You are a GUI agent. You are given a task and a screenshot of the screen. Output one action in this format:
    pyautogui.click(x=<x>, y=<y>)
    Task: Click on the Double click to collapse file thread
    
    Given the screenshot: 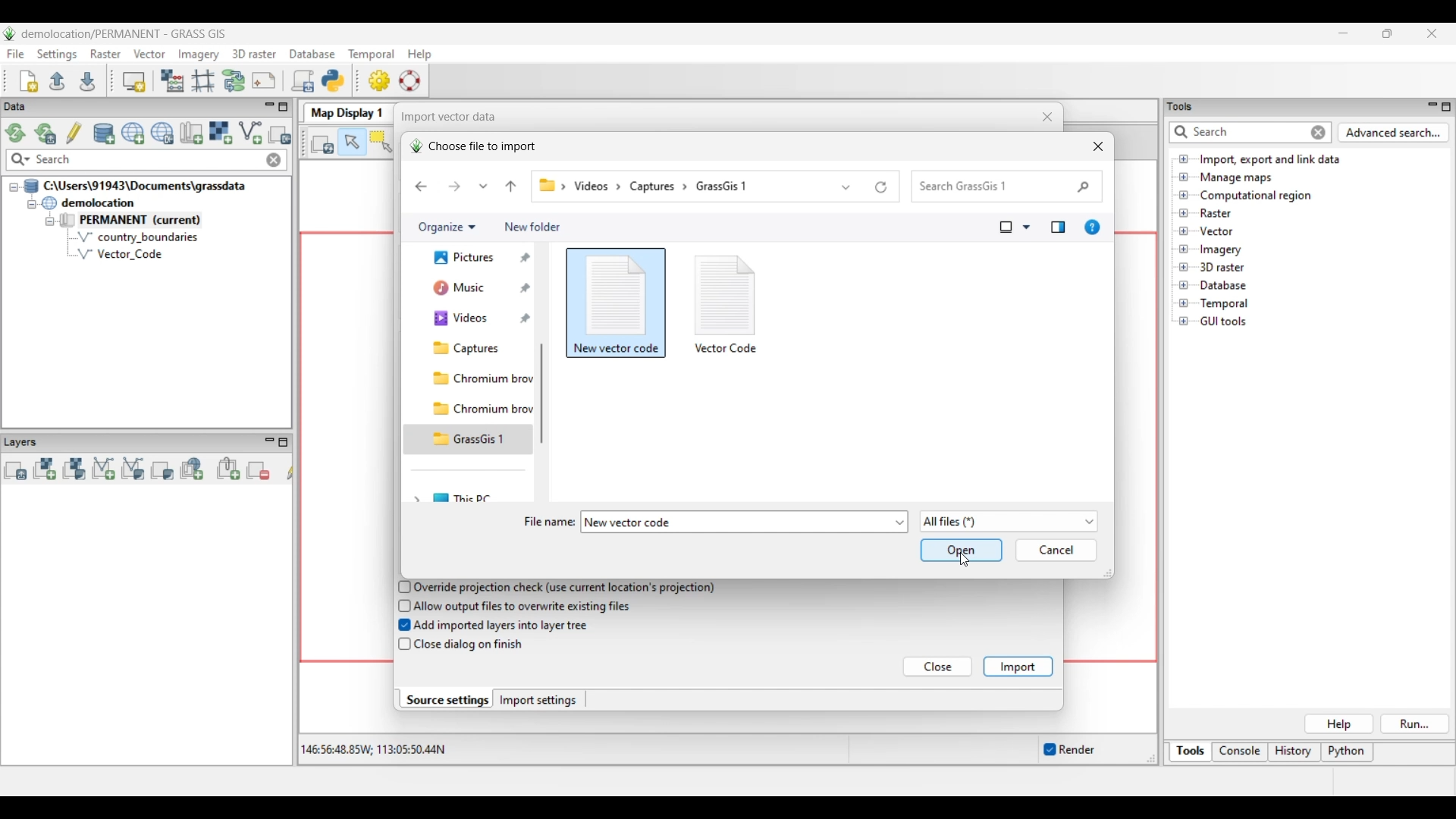 What is the action you would take?
    pyautogui.click(x=135, y=186)
    